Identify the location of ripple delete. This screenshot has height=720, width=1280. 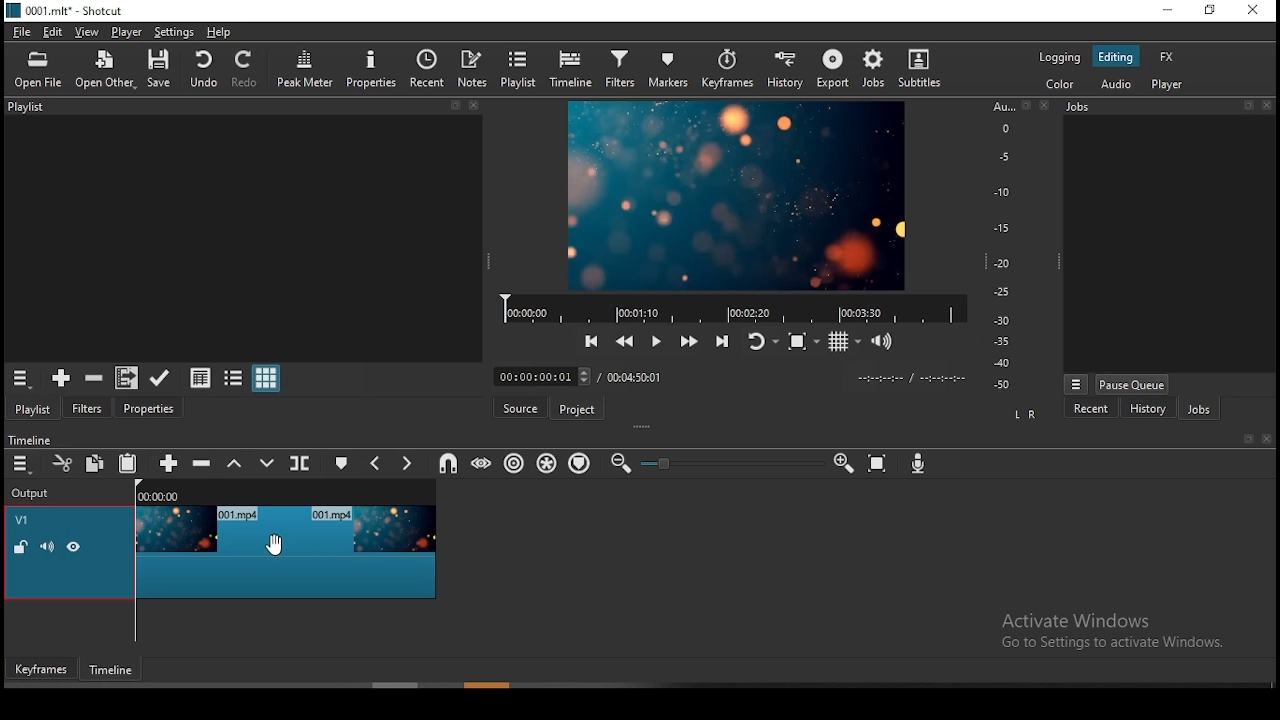
(200, 464).